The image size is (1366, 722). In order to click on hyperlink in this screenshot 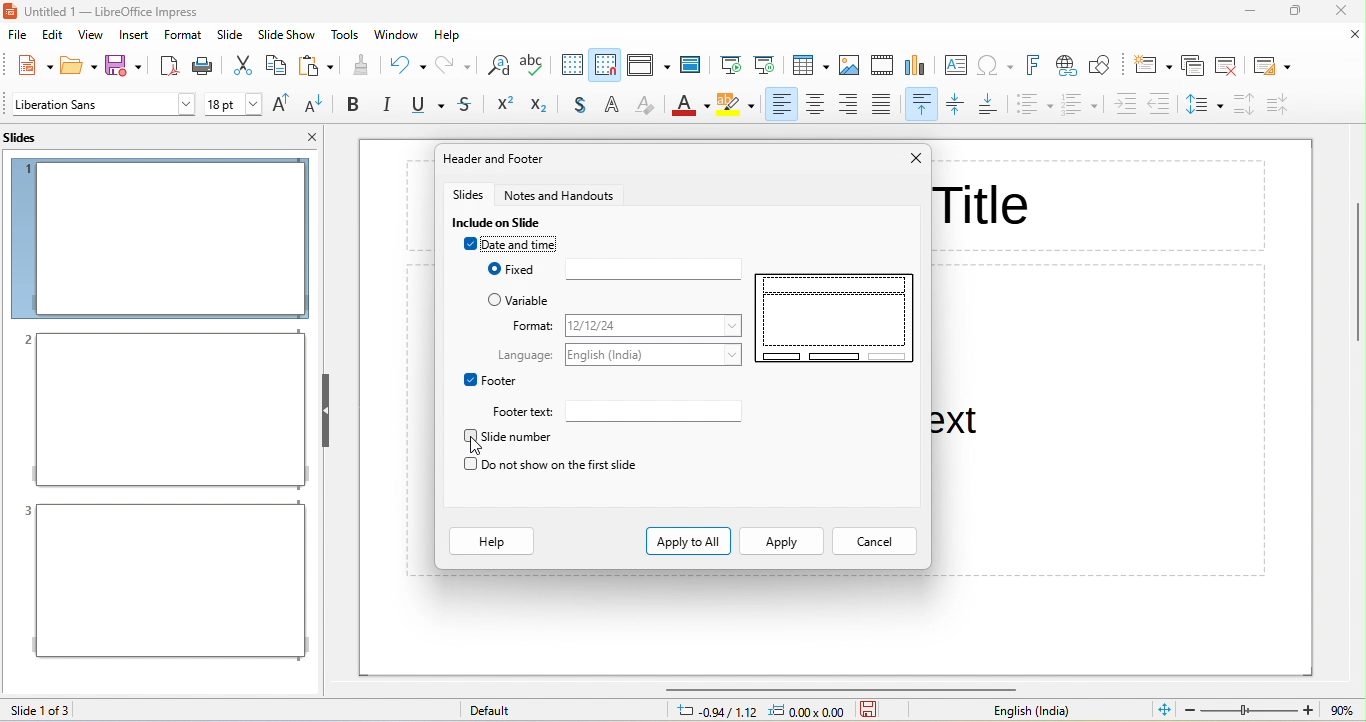, I will do `click(1068, 68)`.